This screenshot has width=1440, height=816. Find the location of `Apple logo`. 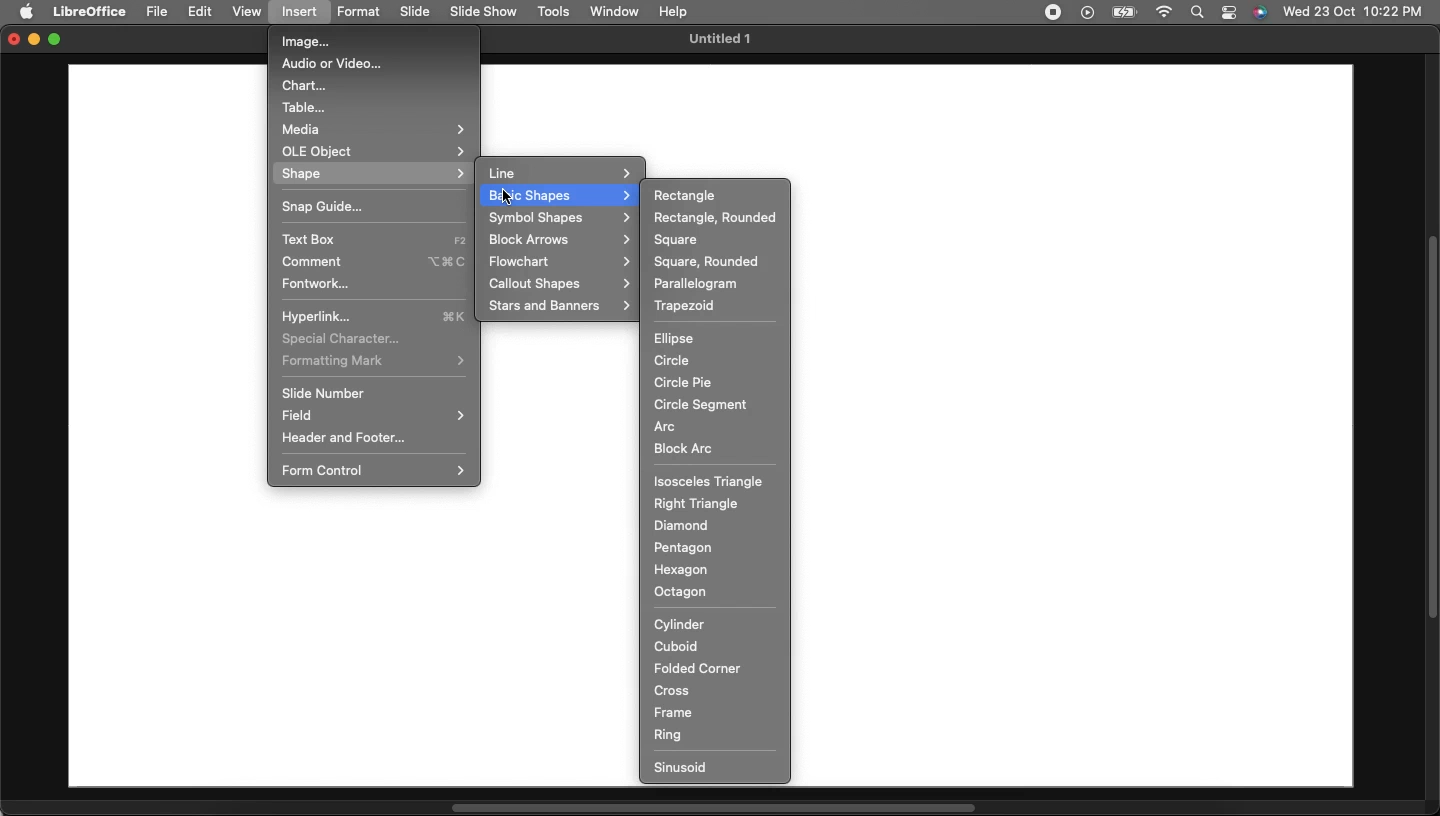

Apple logo is located at coordinates (29, 13).